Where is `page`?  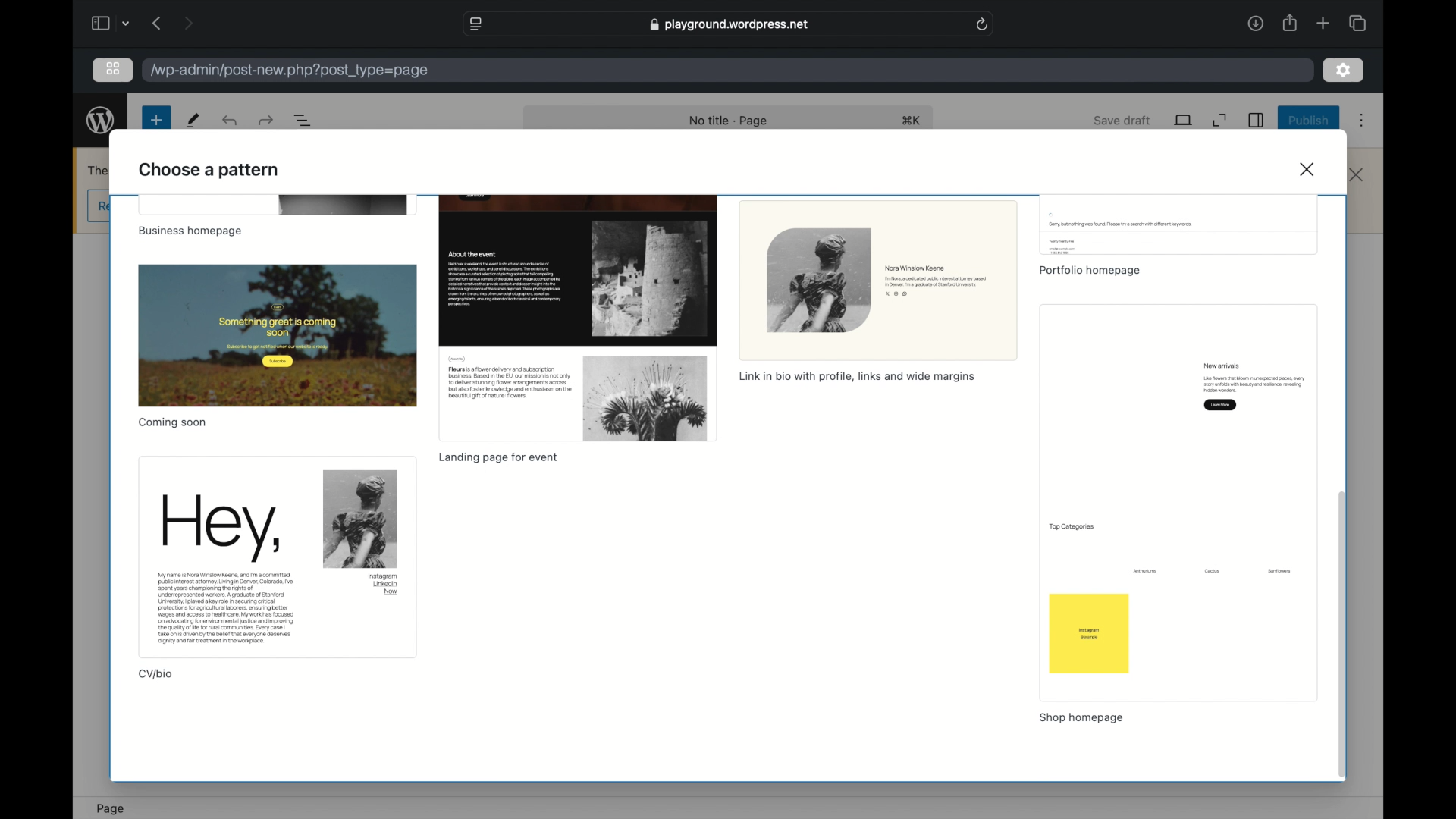 page is located at coordinates (111, 808).